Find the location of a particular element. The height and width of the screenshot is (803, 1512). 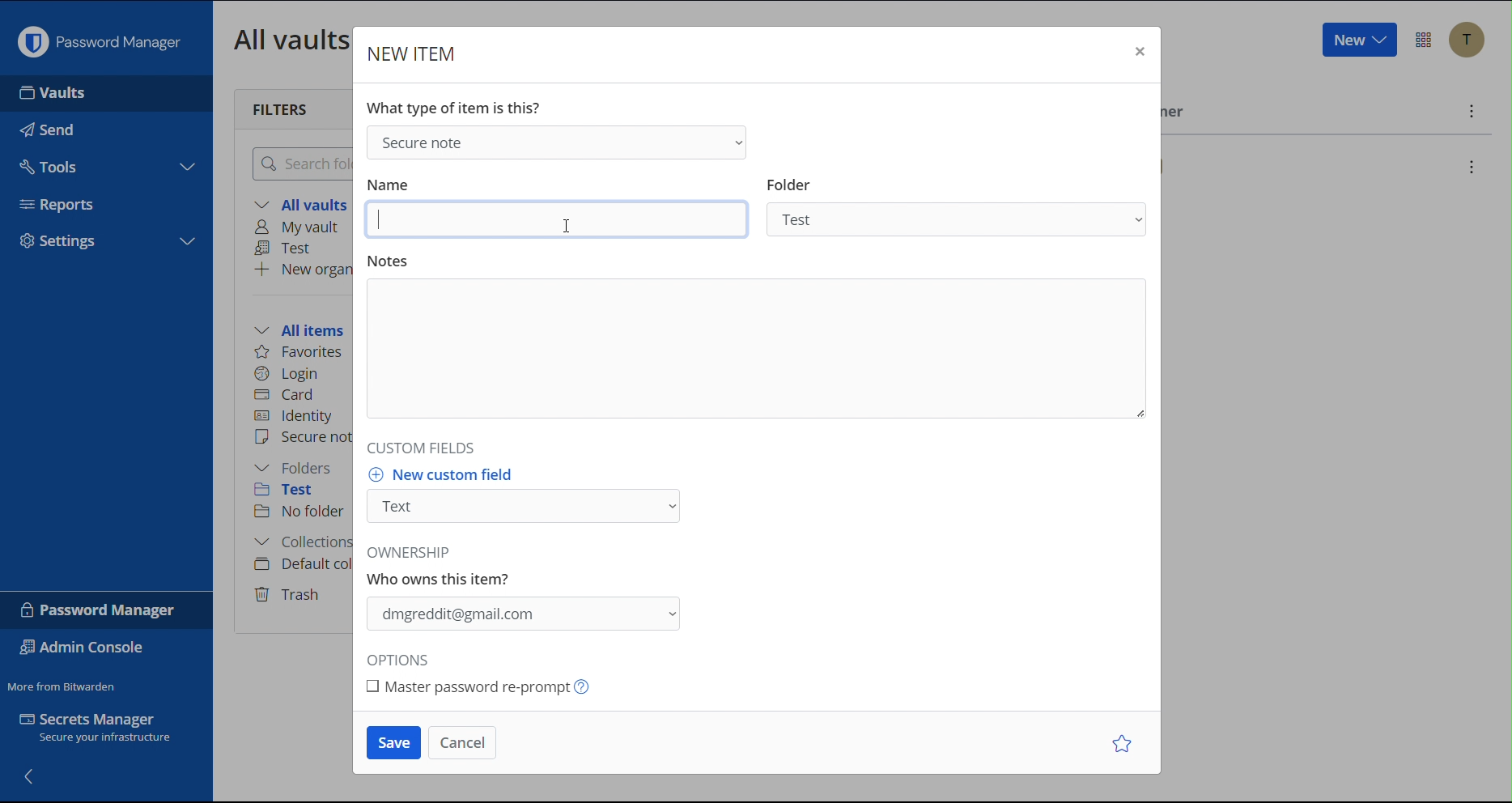

Secure is located at coordinates (302, 439).